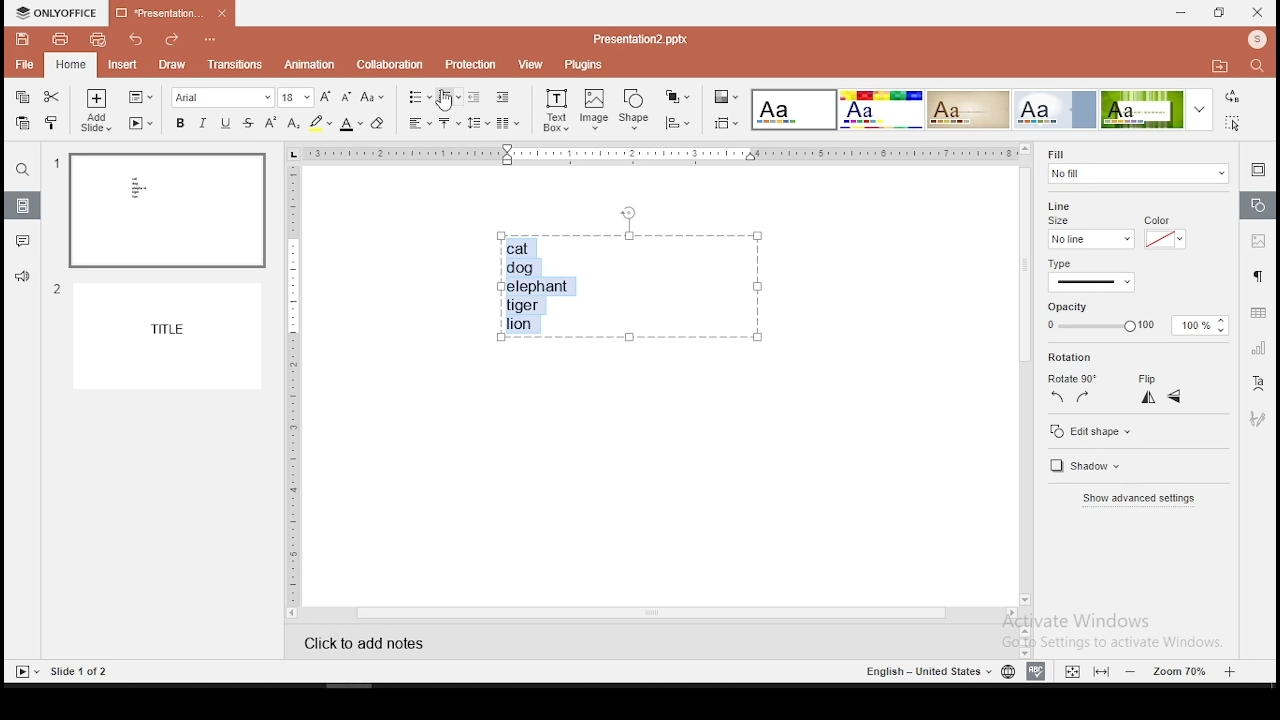 This screenshot has width=1280, height=720. I want to click on edit shape, so click(1098, 431).